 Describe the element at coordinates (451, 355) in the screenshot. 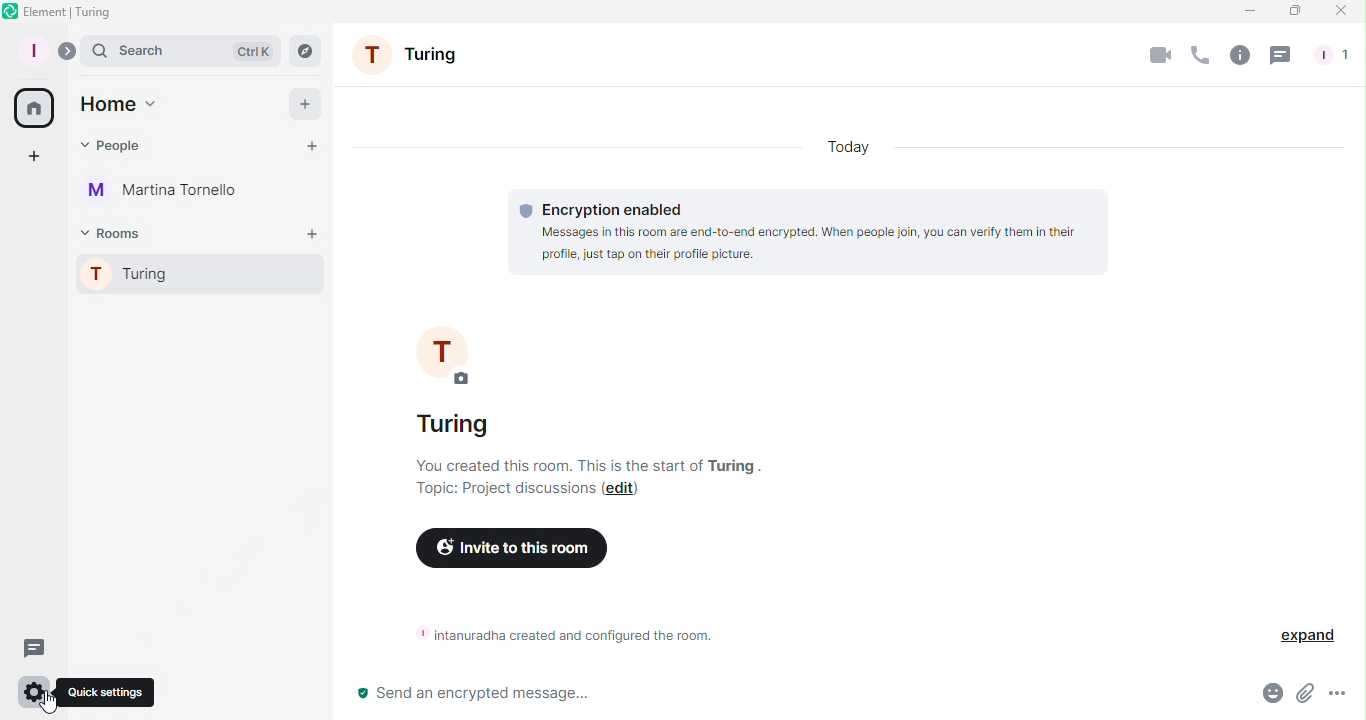

I see `profile picture` at that location.